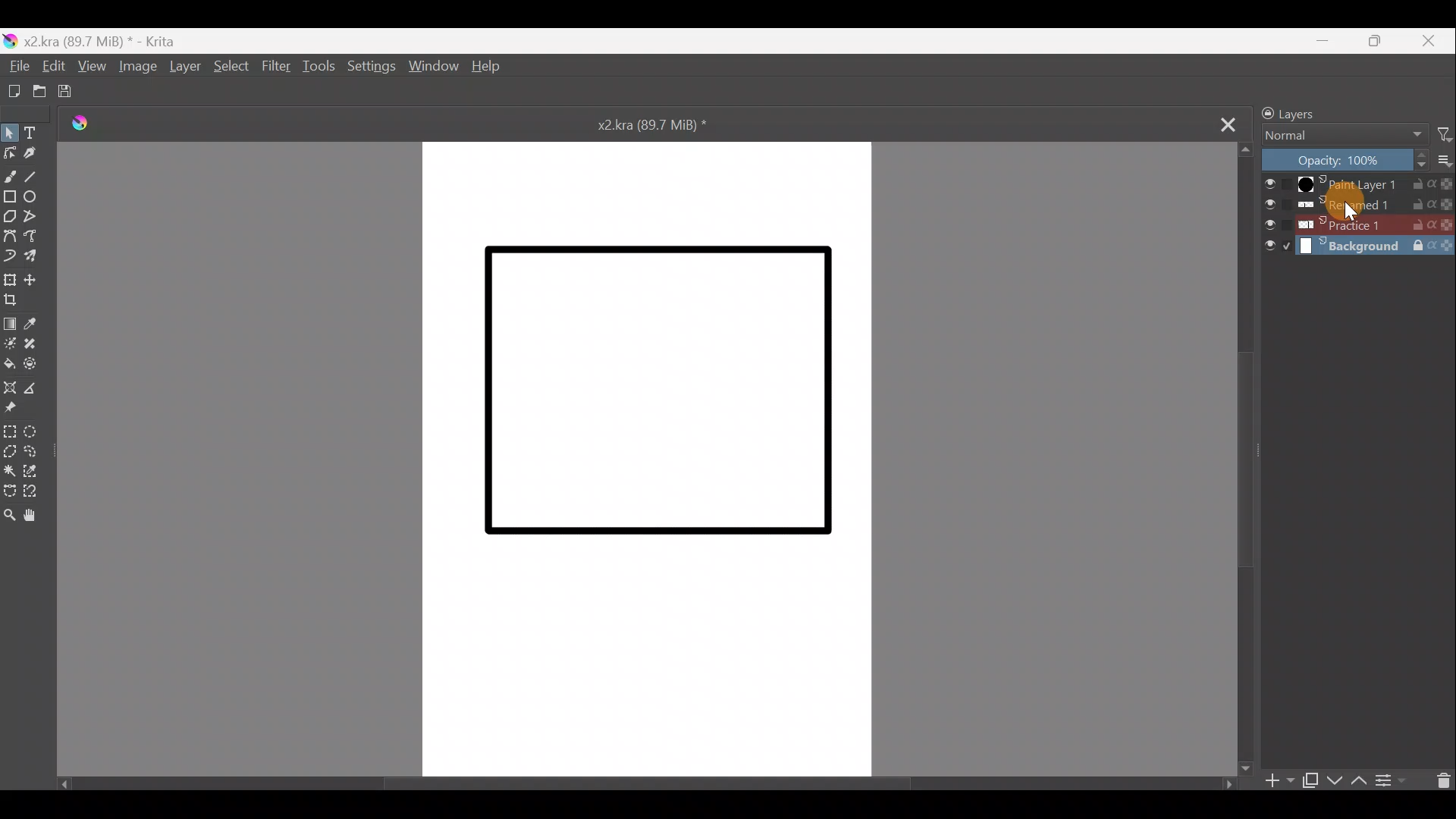  Describe the element at coordinates (1357, 201) in the screenshot. I see `Renamed1` at that location.